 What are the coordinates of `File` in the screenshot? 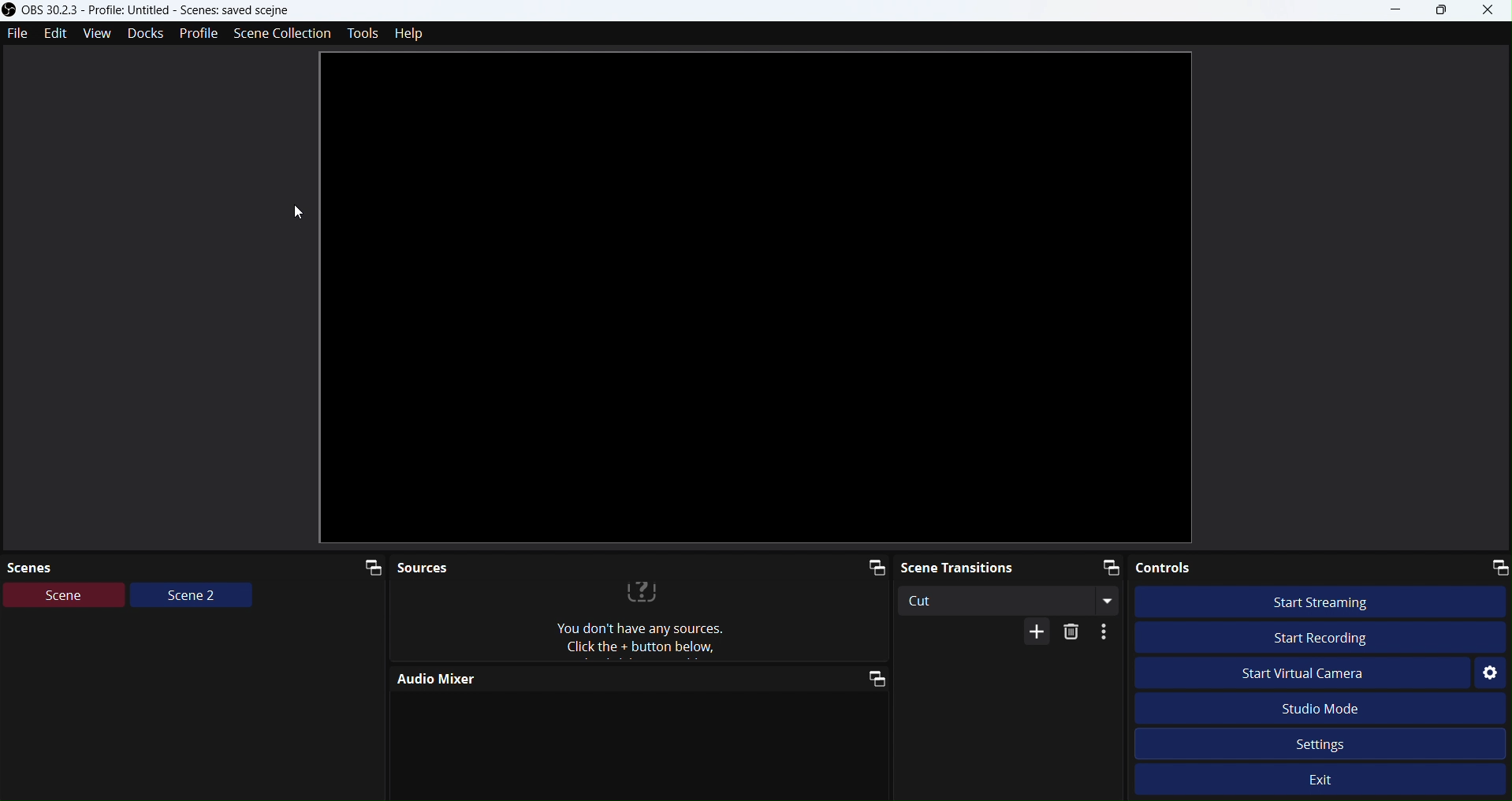 It's located at (17, 34).